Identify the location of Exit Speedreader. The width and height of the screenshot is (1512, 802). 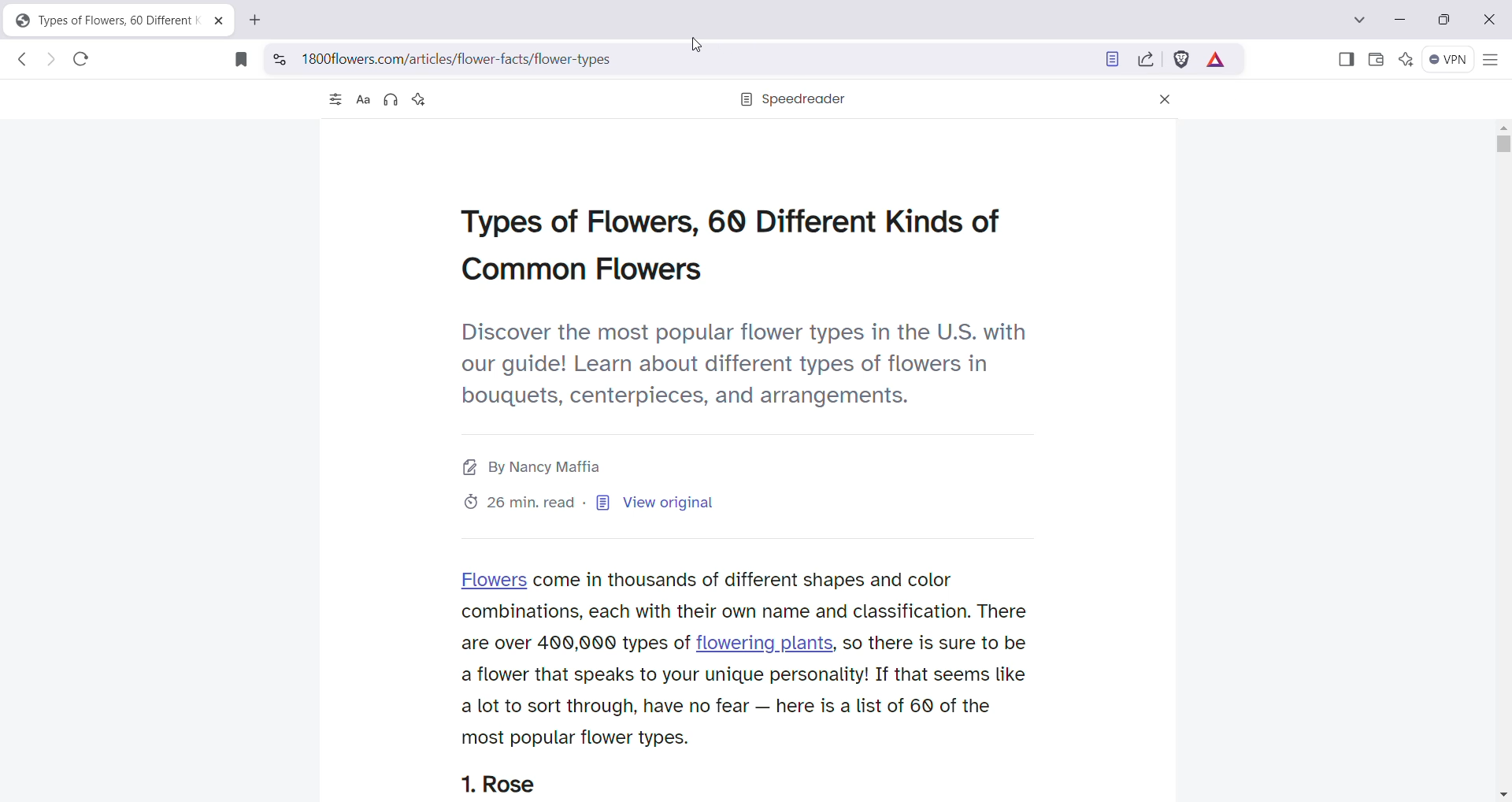
(1165, 101).